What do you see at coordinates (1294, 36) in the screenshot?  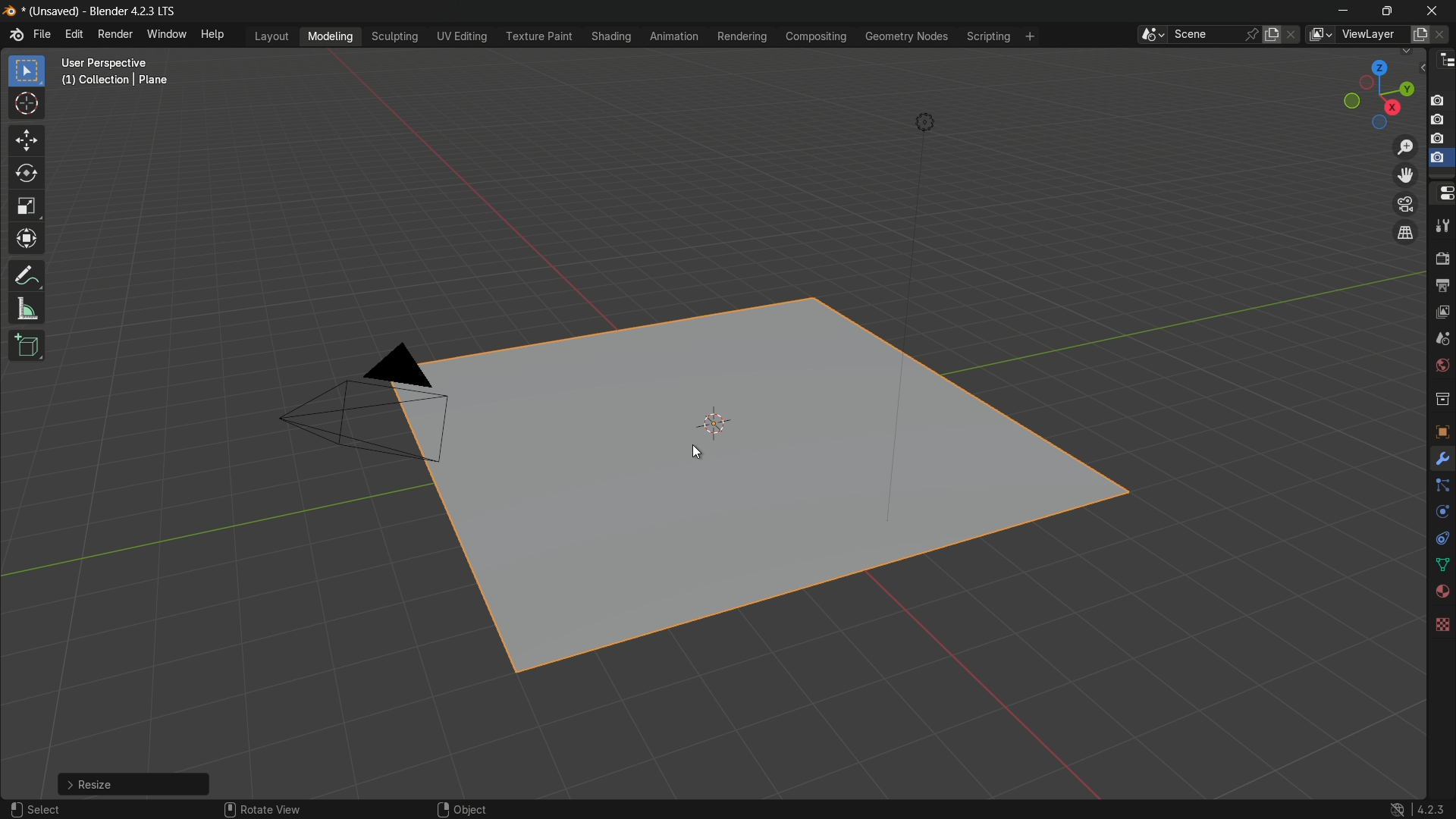 I see `delete scene` at bounding box center [1294, 36].